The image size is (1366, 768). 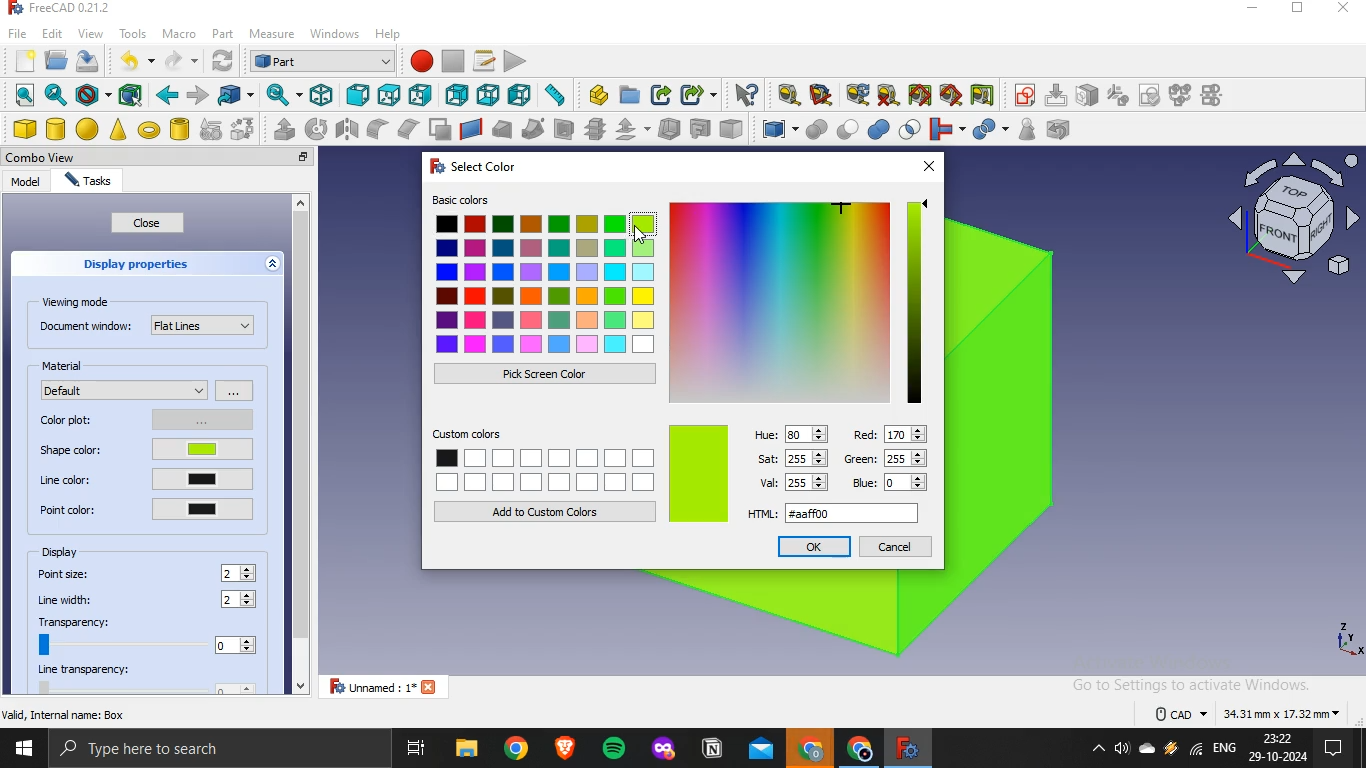 What do you see at coordinates (664, 751) in the screenshot?
I see `mozilla firefox` at bounding box center [664, 751].